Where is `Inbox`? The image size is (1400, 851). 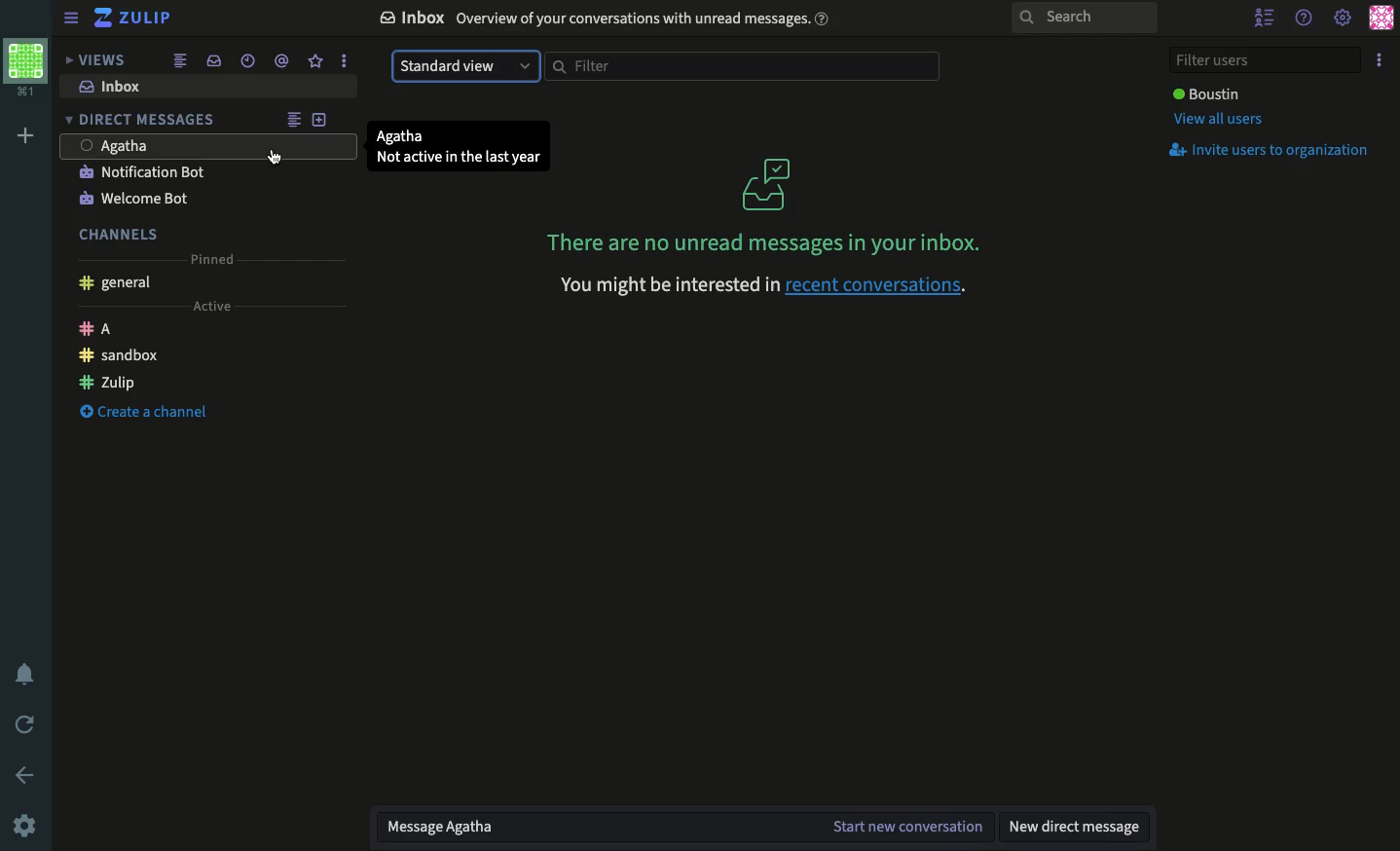
Inbox is located at coordinates (598, 18).